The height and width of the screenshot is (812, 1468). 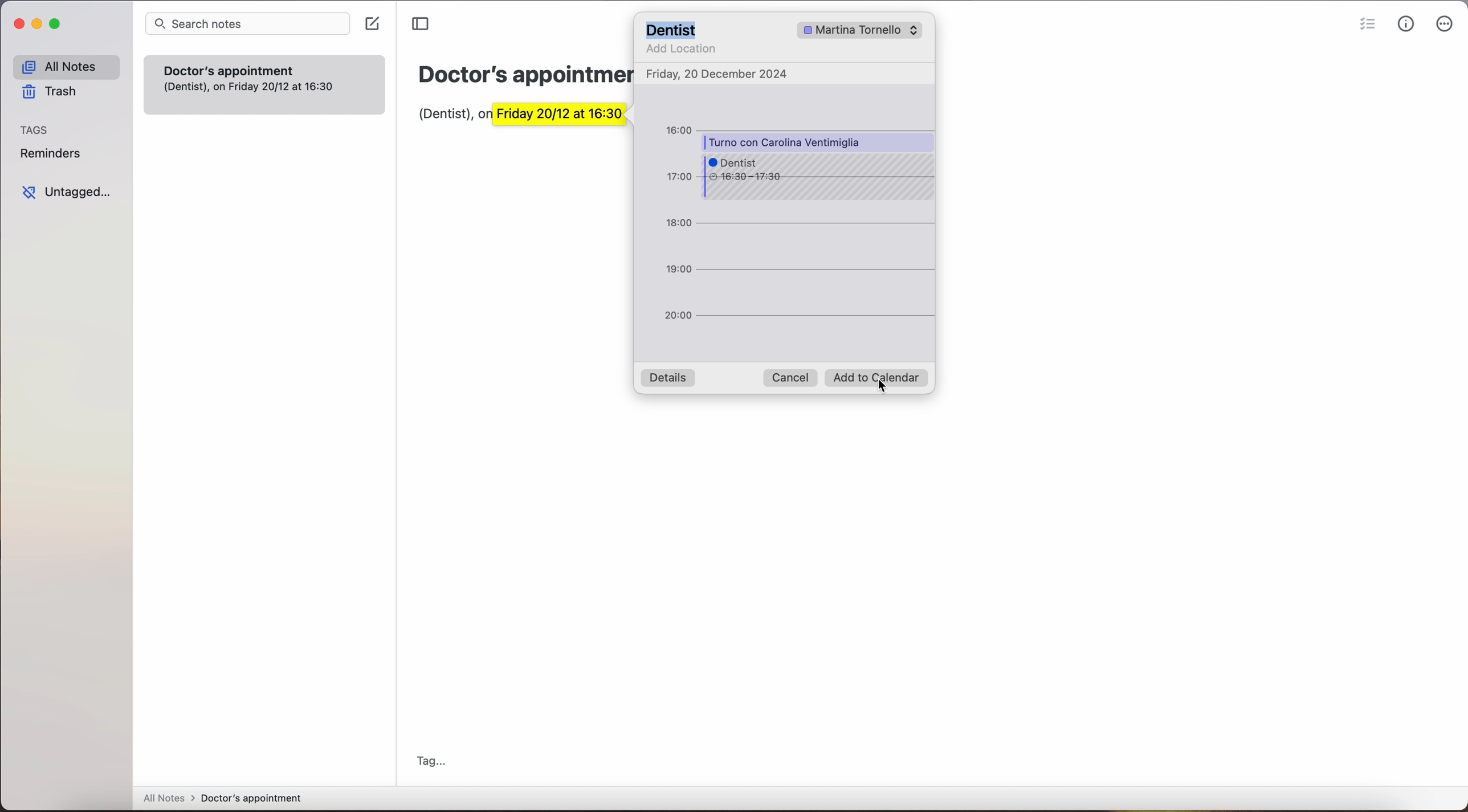 I want to click on 16:30 - 17:30, so click(x=749, y=178).